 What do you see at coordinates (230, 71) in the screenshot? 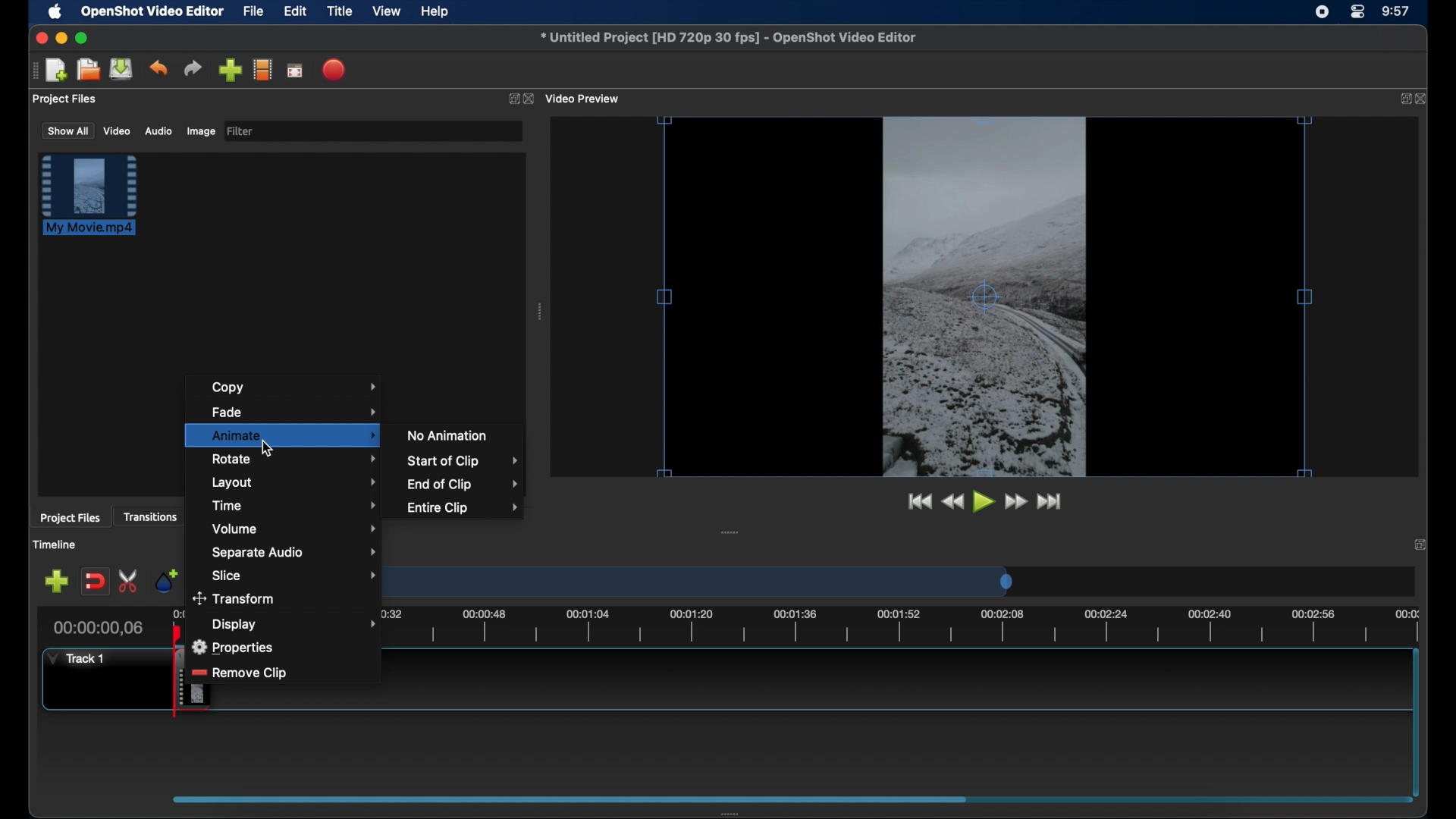
I see `import files` at bounding box center [230, 71].